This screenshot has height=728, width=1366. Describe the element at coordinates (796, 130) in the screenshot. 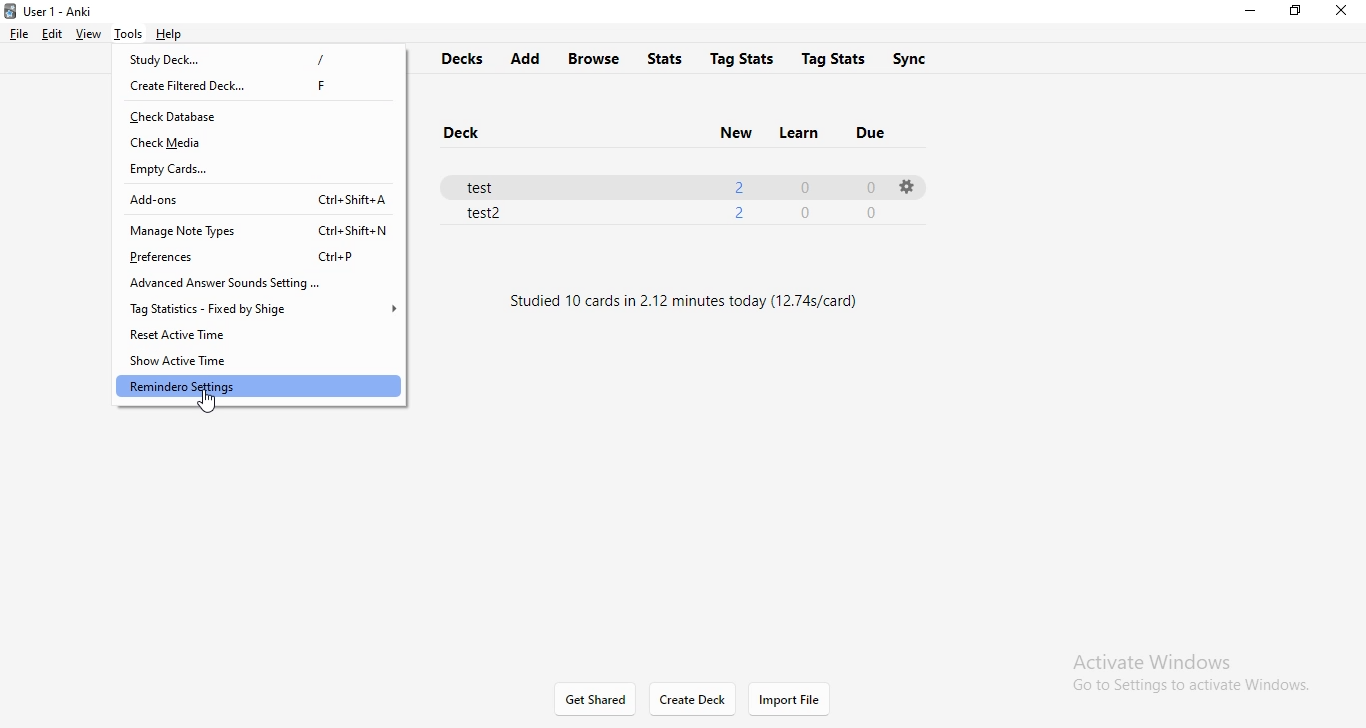

I see `learn` at that location.